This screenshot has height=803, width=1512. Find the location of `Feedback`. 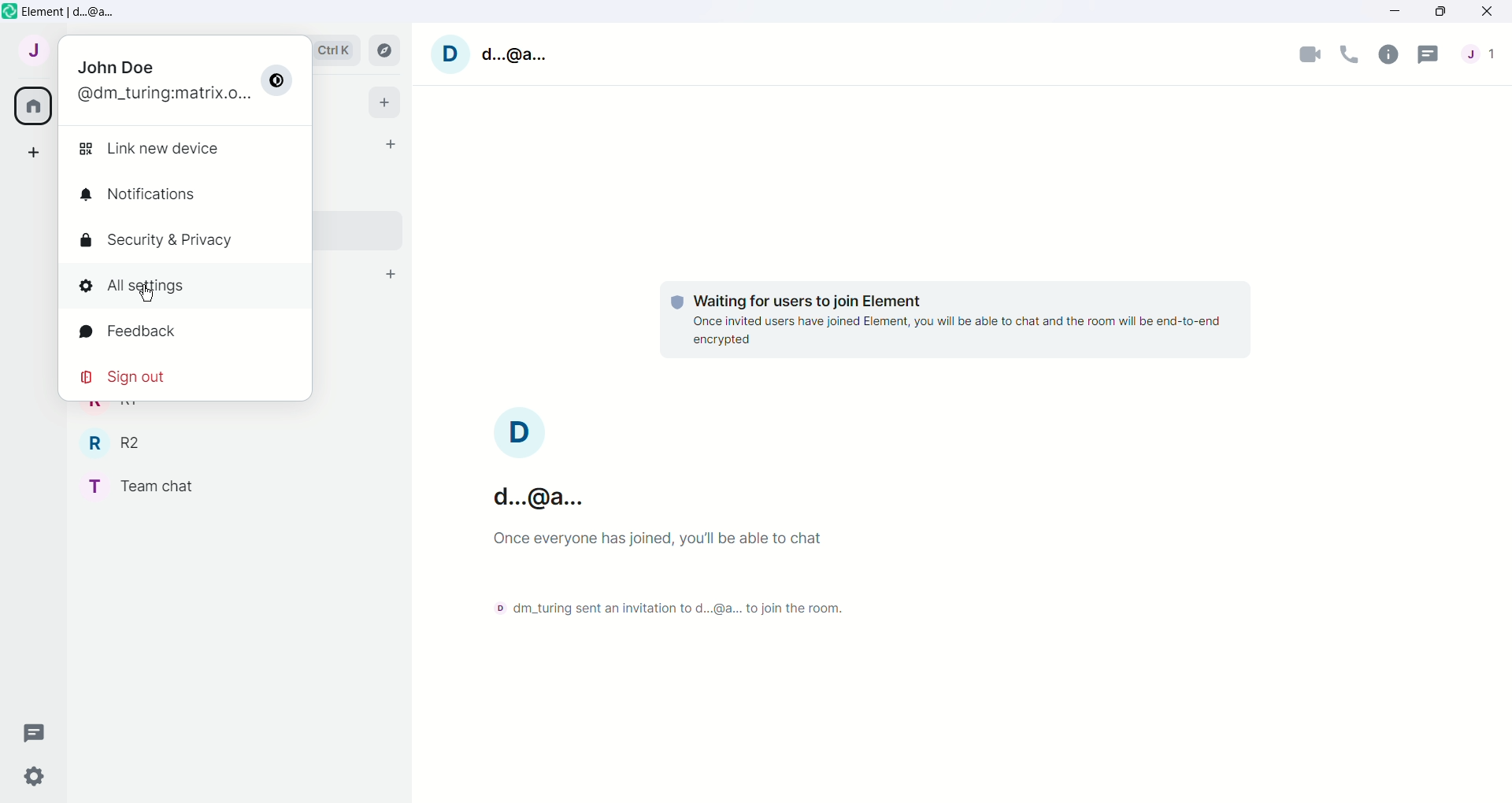

Feedback is located at coordinates (185, 331).